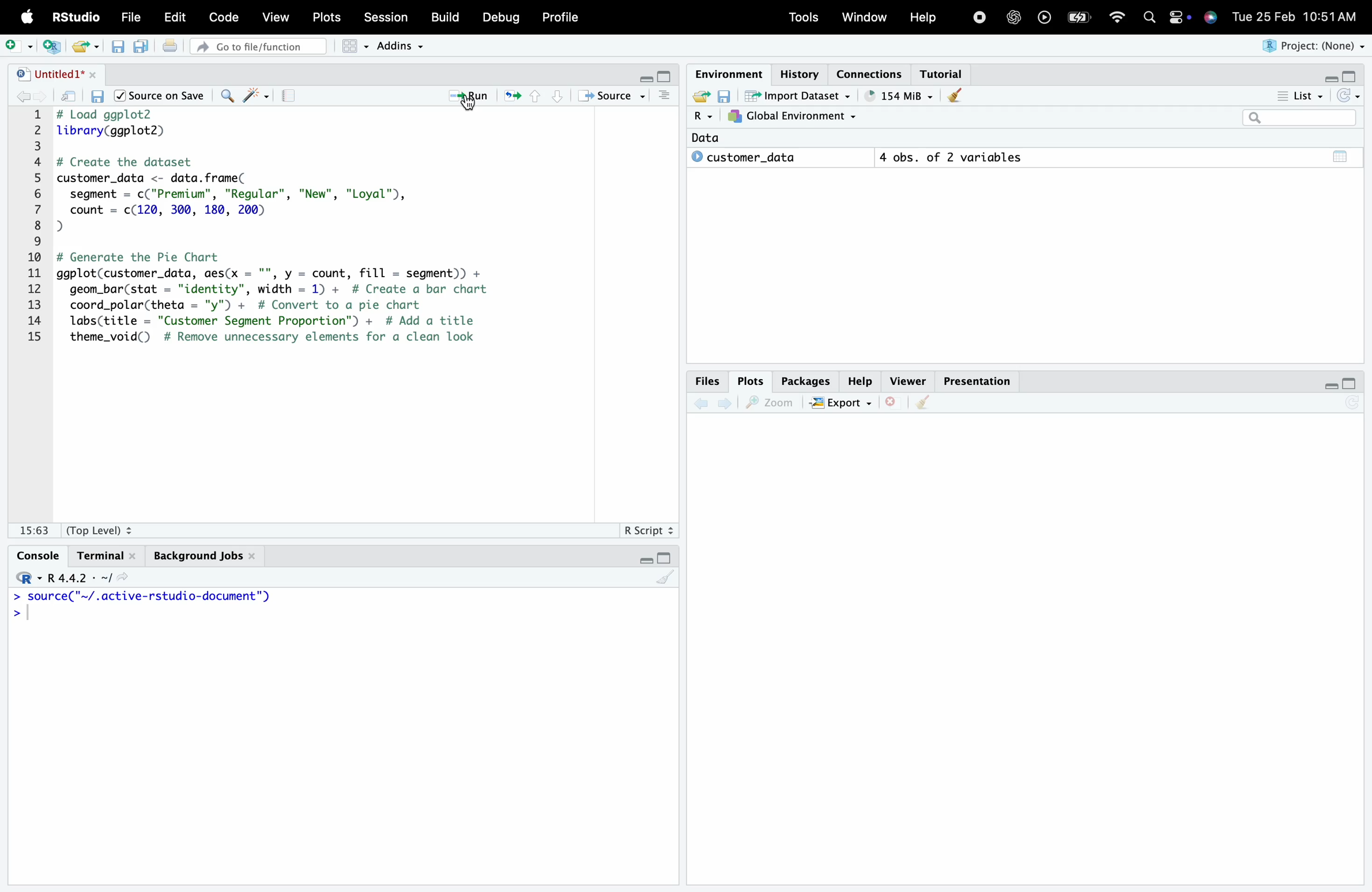 The height and width of the screenshot is (892, 1372). What do you see at coordinates (177, 18) in the screenshot?
I see `Edit` at bounding box center [177, 18].